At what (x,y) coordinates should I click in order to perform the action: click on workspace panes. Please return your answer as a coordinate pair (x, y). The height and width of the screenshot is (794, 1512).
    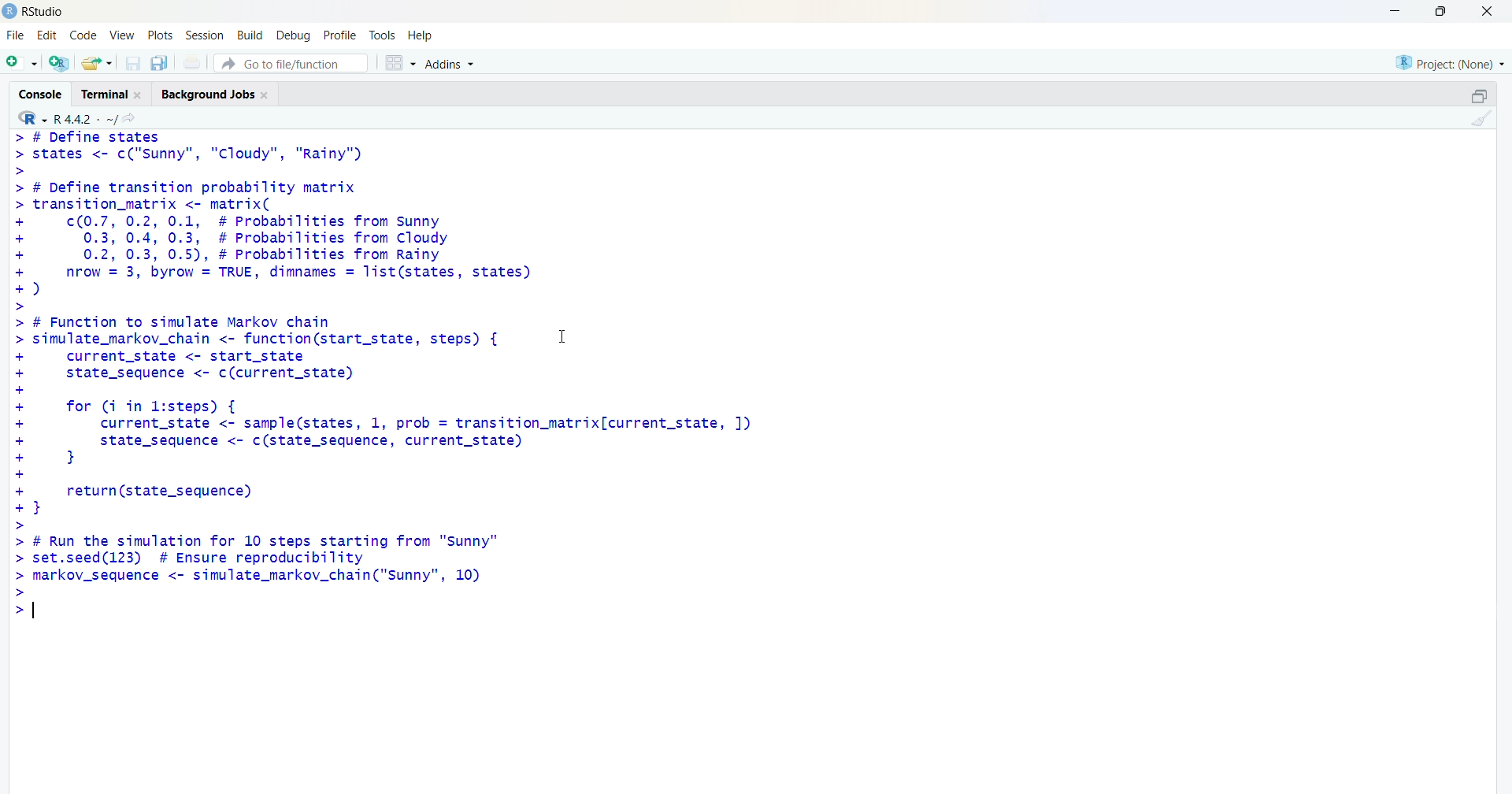
    Looking at the image, I should click on (399, 65).